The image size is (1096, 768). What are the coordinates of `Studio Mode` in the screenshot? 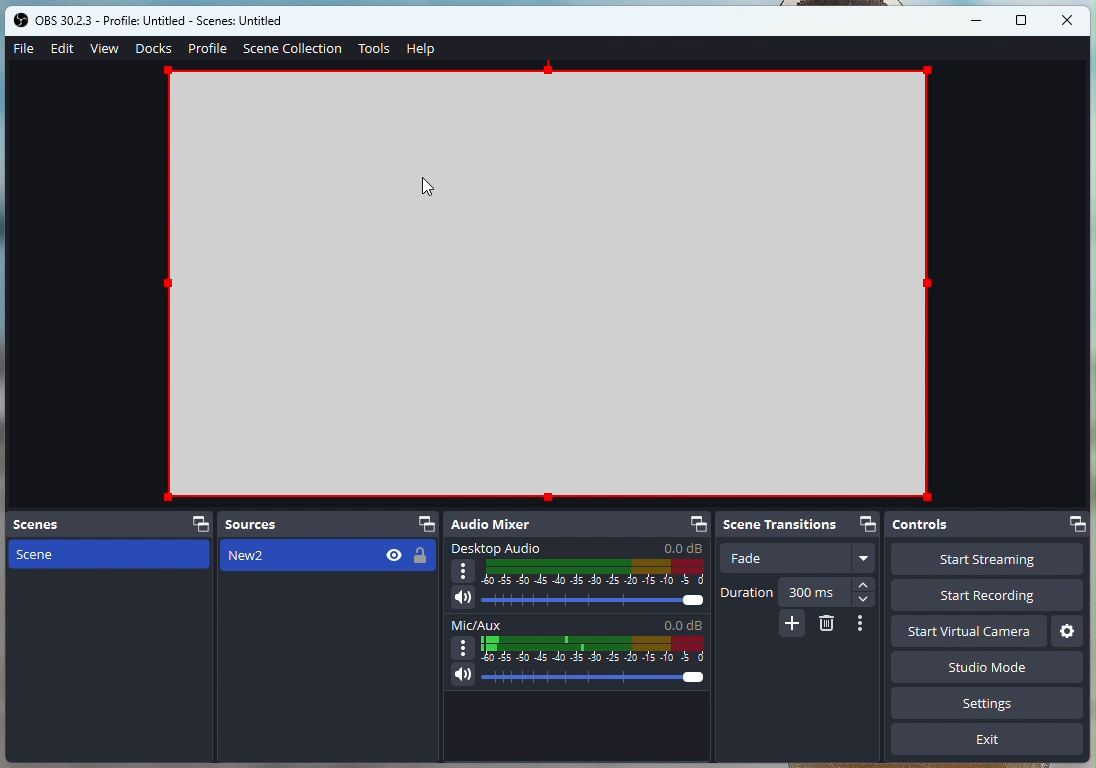 It's located at (928, 670).